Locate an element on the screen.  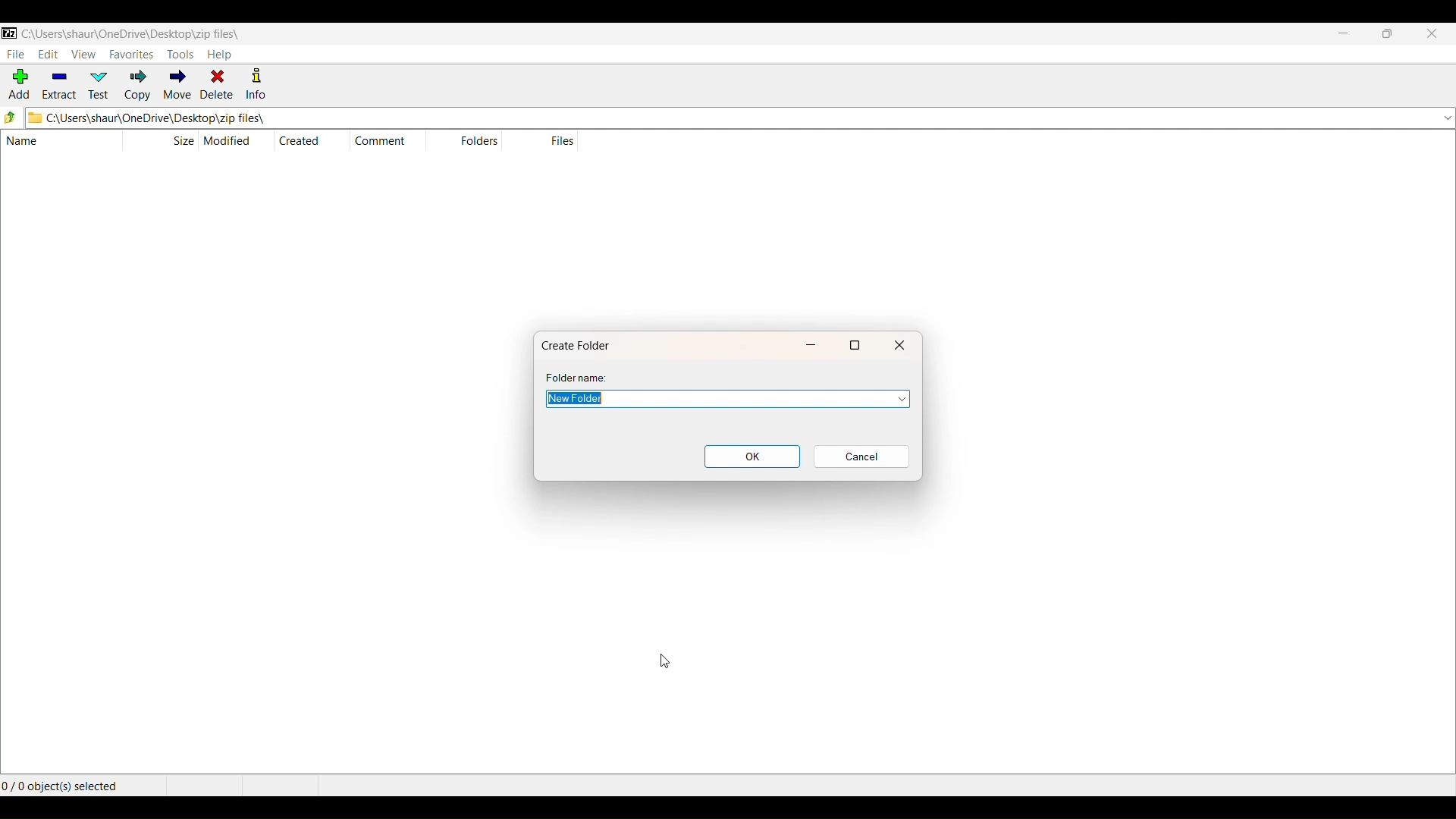
new folder name typing is located at coordinates (711, 399).